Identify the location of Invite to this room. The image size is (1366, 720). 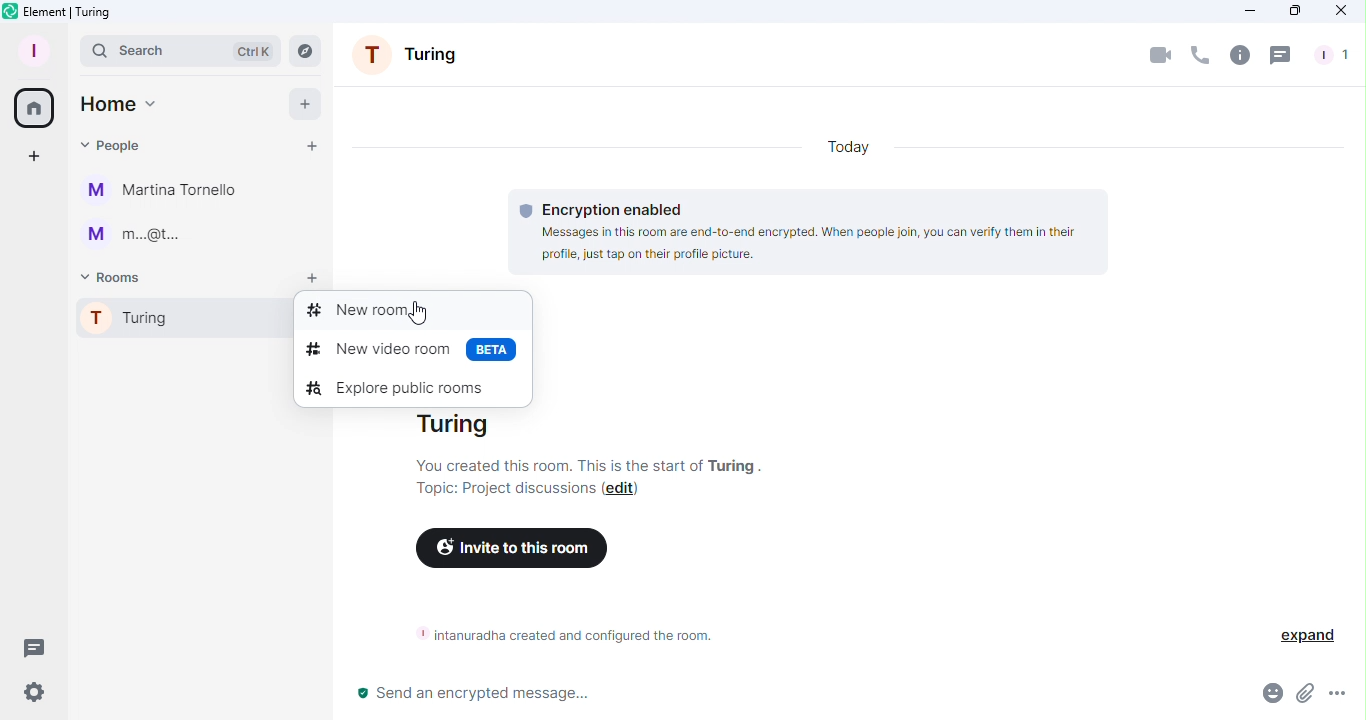
(508, 550).